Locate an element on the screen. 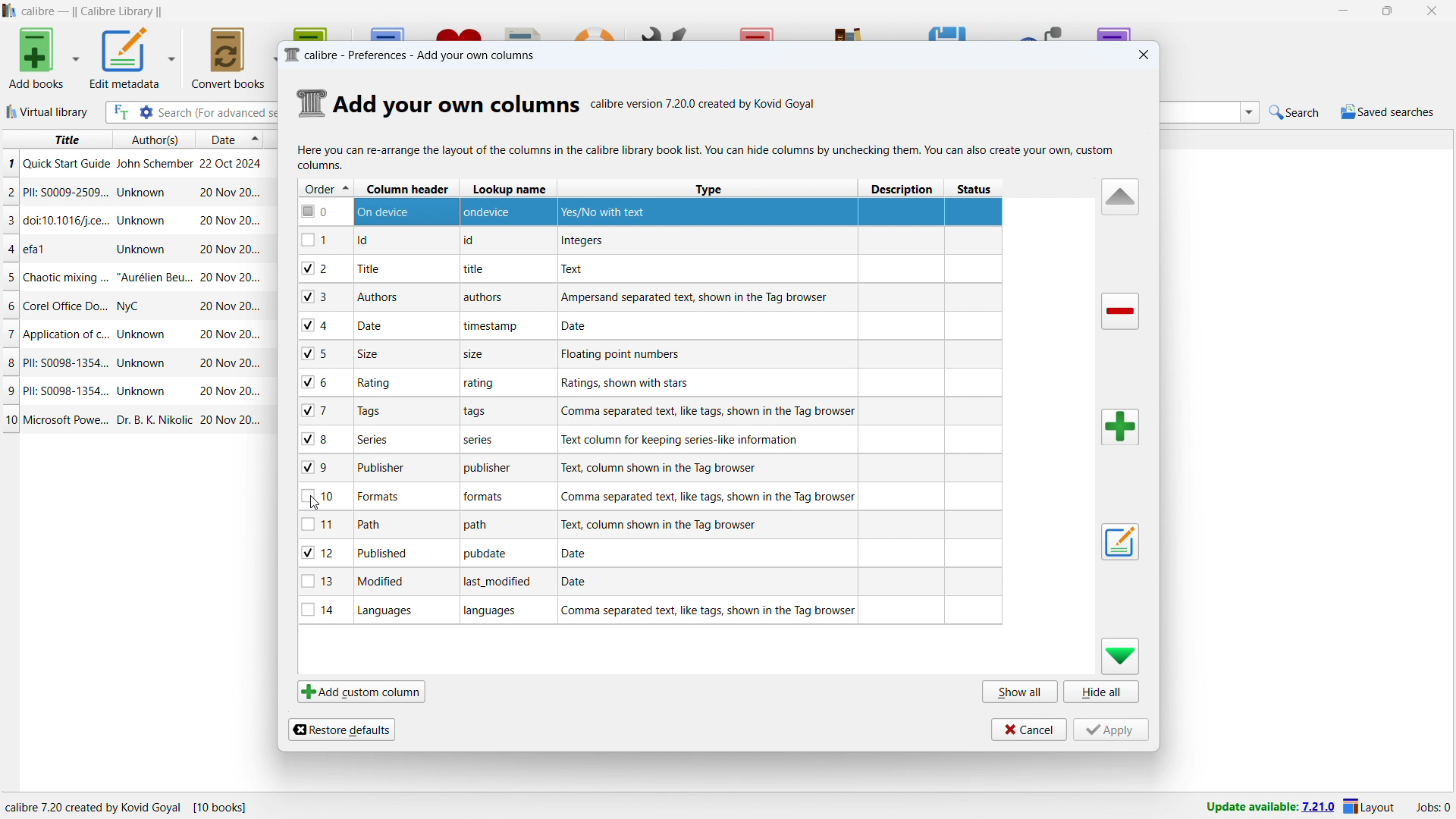 The width and height of the screenshot is (1456, 819). BEI " Cevice | onaevice | Yes/No with text | | | is located at coordinates (649, 211).